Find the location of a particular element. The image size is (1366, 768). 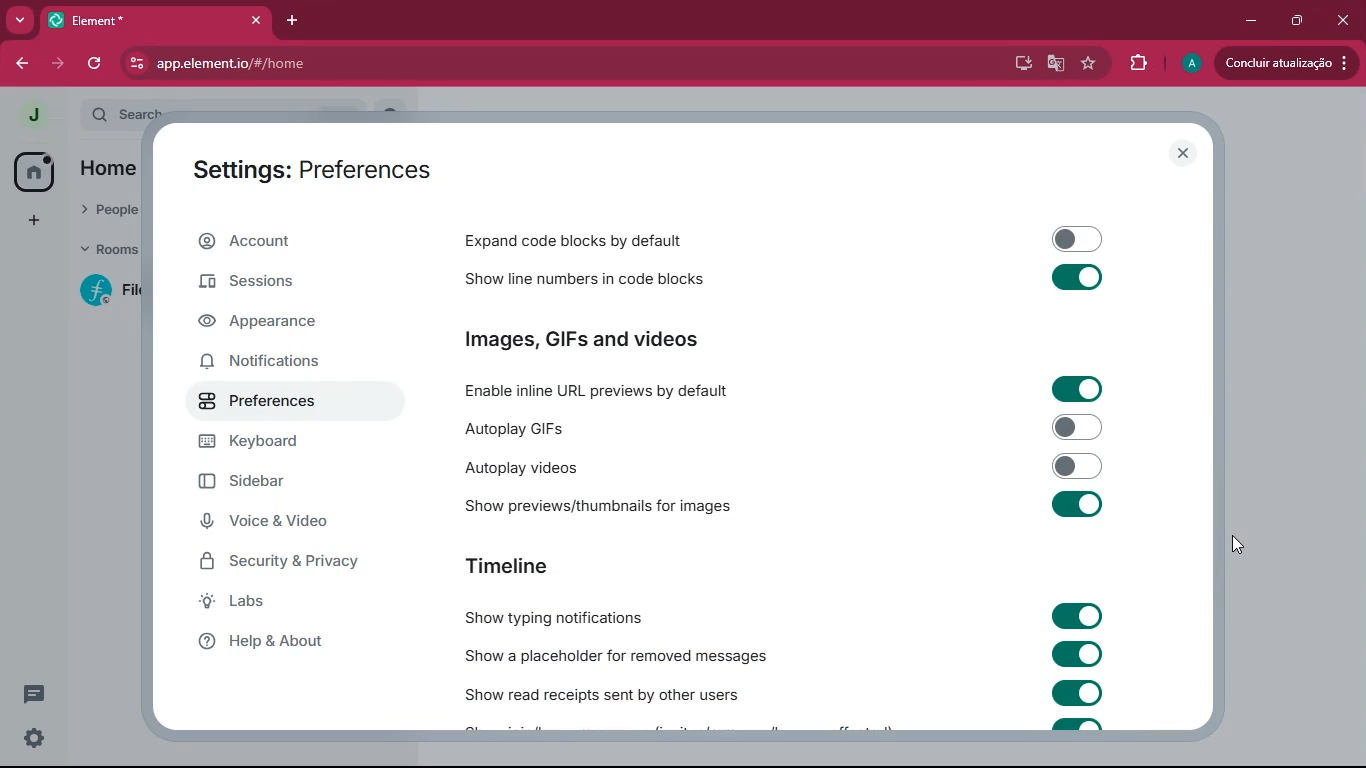

quick settings is located at coordinates (34, 738).